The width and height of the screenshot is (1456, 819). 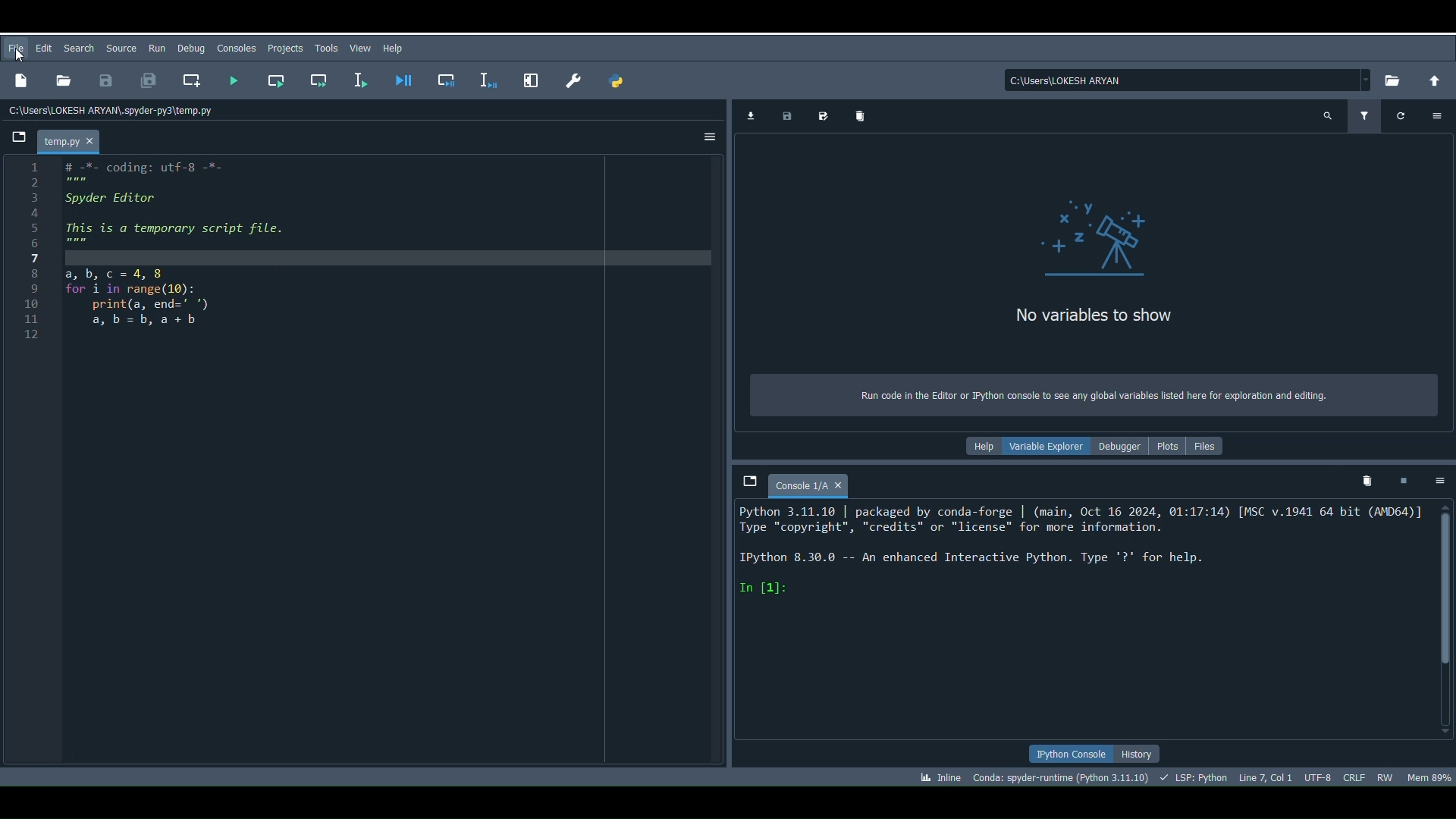 What do you see at coordinates (846, 485) in the screenshot?
I see `close` at bounding box center [846, 485].